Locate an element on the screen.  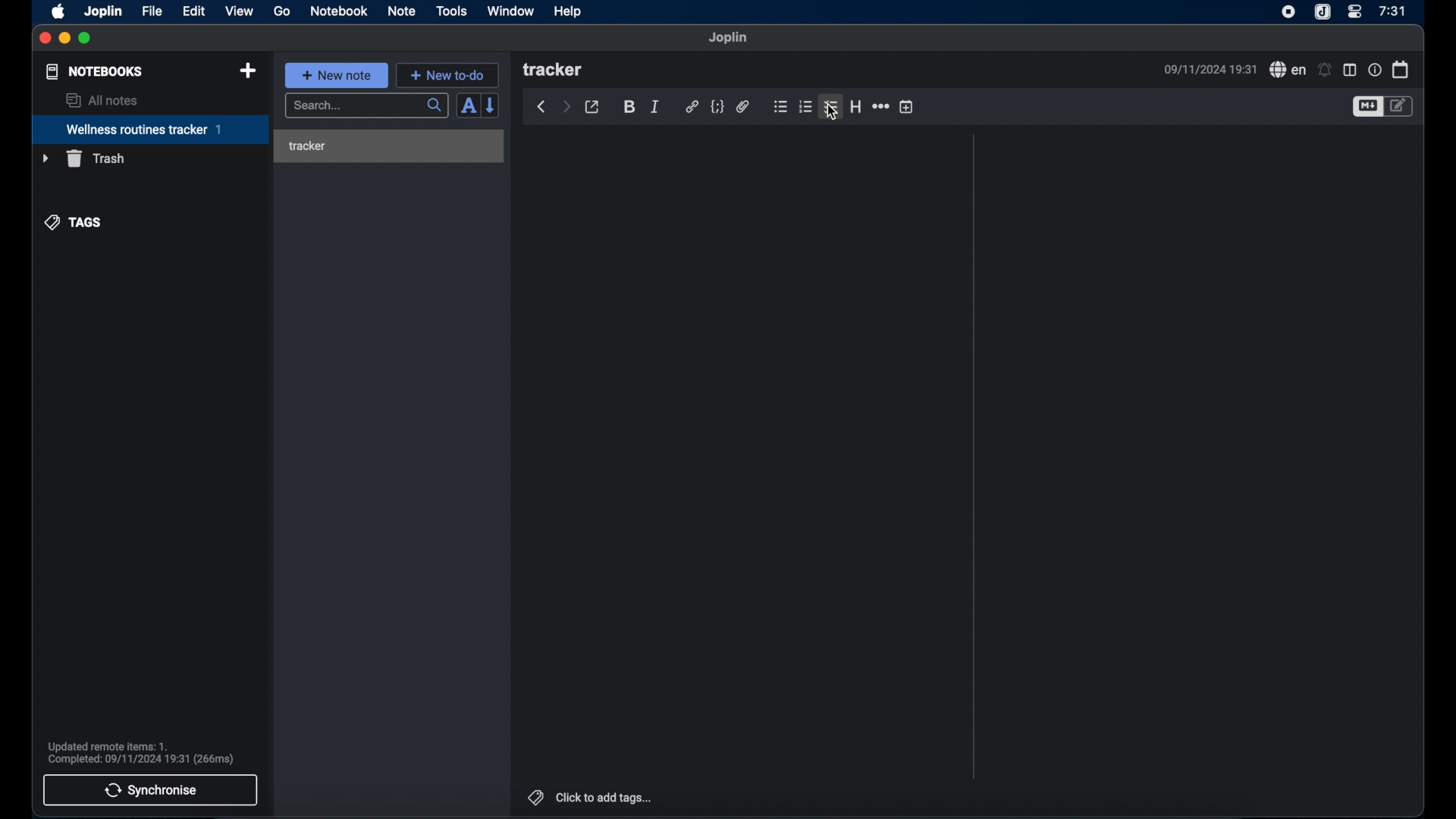
09/11/2024 19:31 is located at coordinates (1208, 69).